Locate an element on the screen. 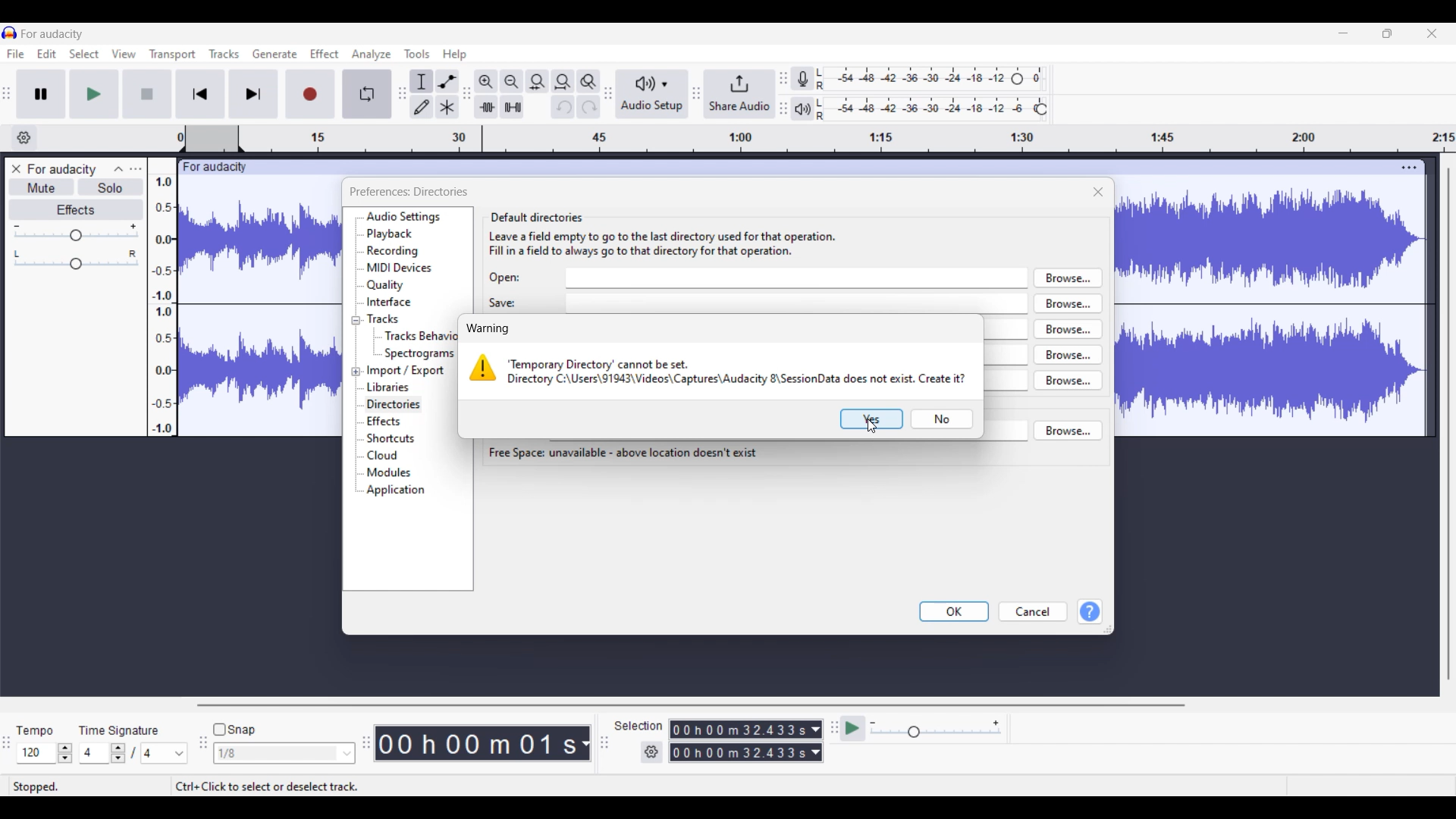 This screenshot has width=1456, height=819. close is located at coordinates (1099, 191).